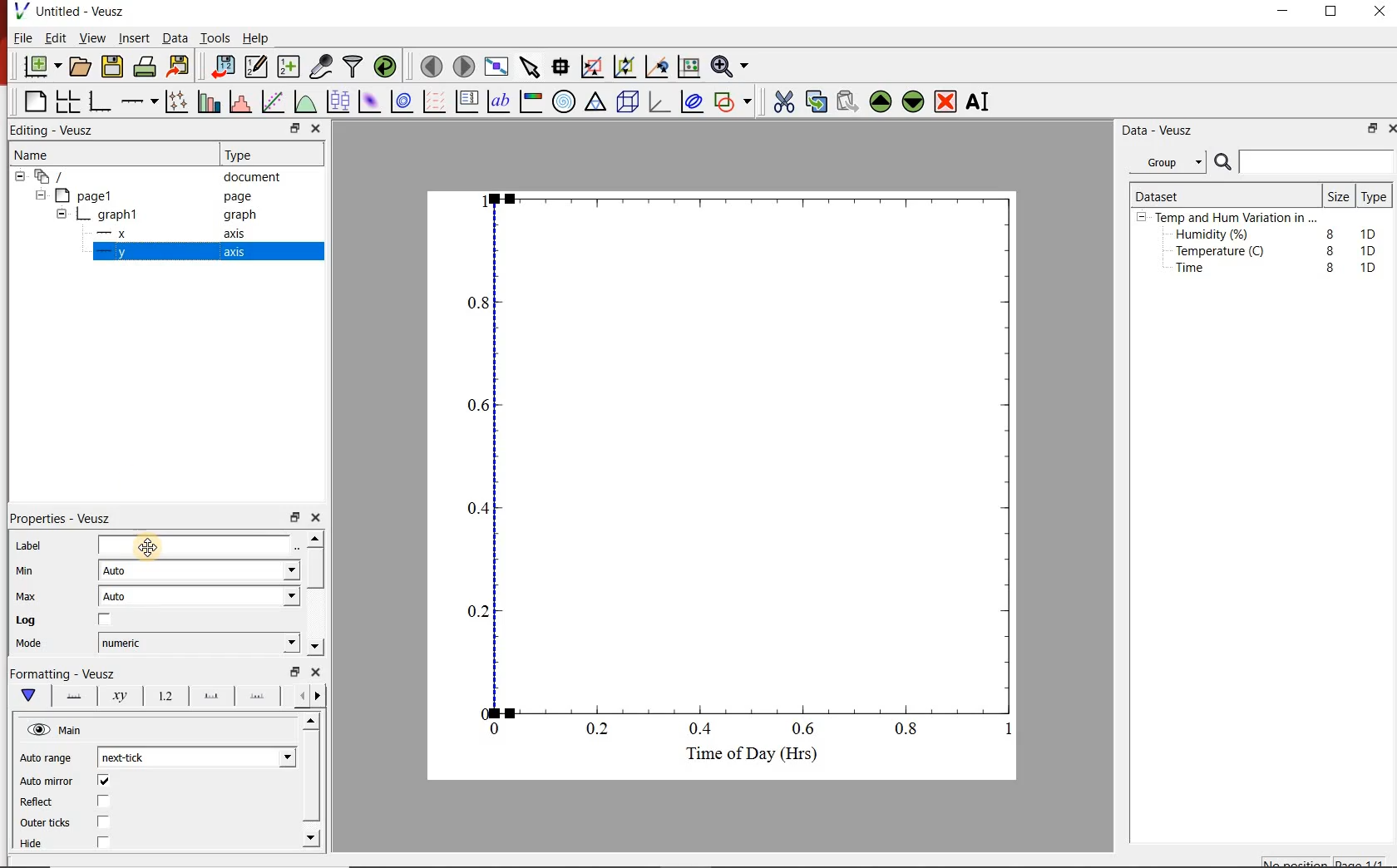 The width and height of the screenshot is (1397, 868). I want to click on Edit and enter new datasets, so click(257, 67).